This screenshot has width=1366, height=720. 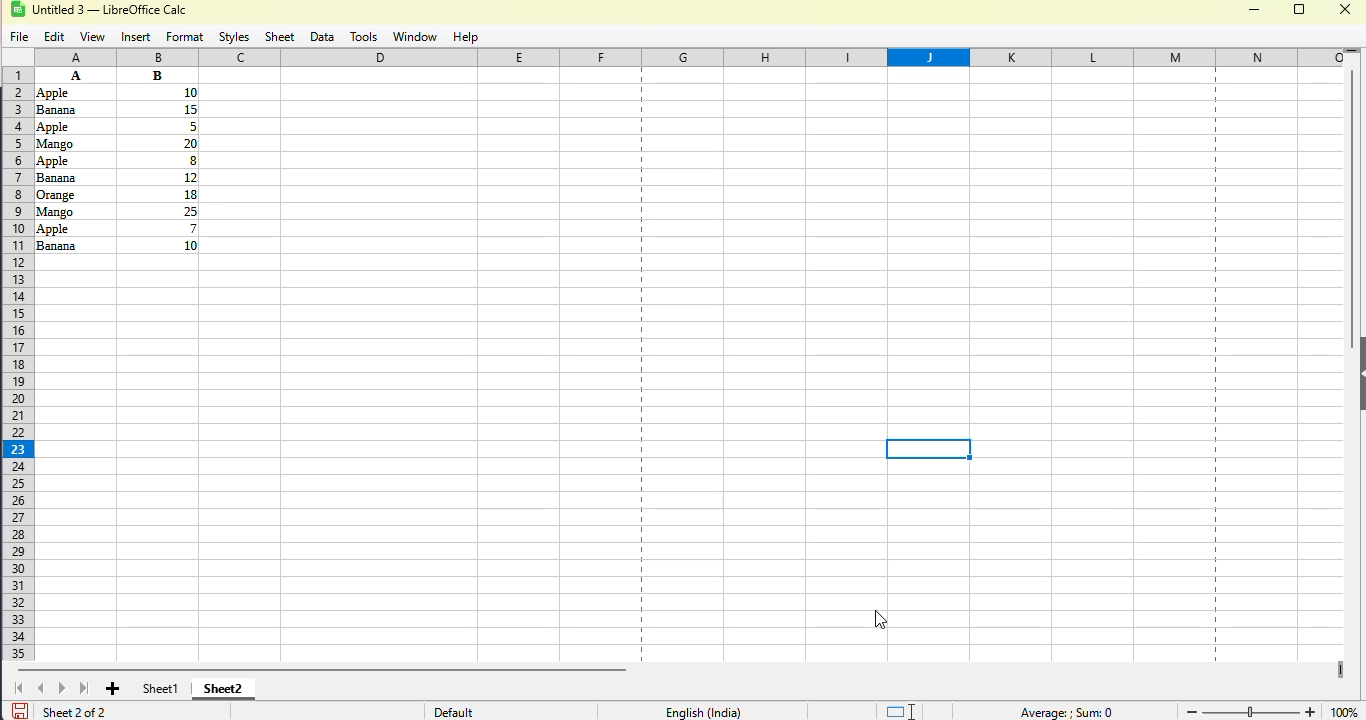 I want to click on , so click(x=159, y=245).